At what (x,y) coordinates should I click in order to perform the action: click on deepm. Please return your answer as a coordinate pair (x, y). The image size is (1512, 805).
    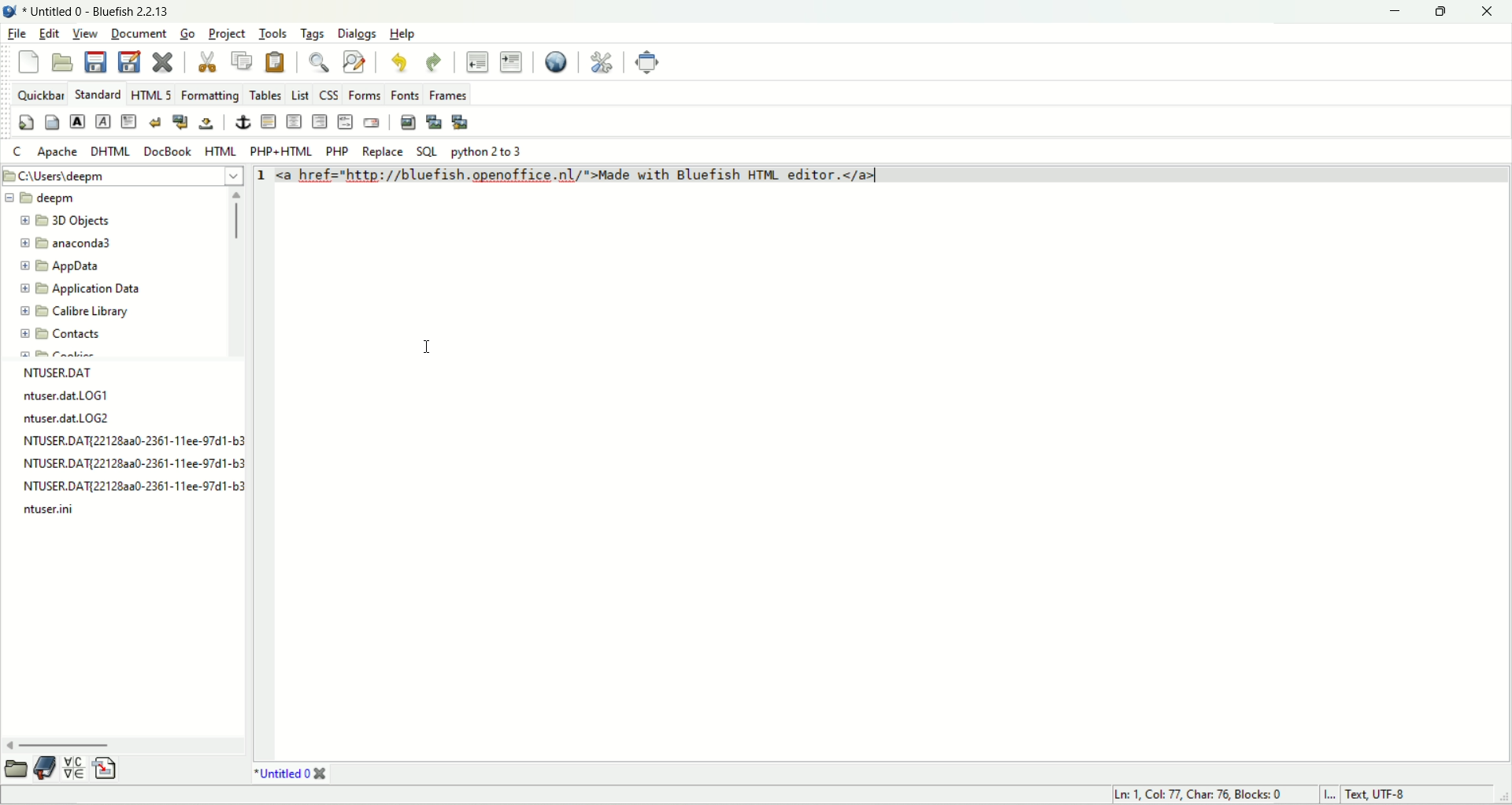
    Looking at the image, I should click on (41, 198).